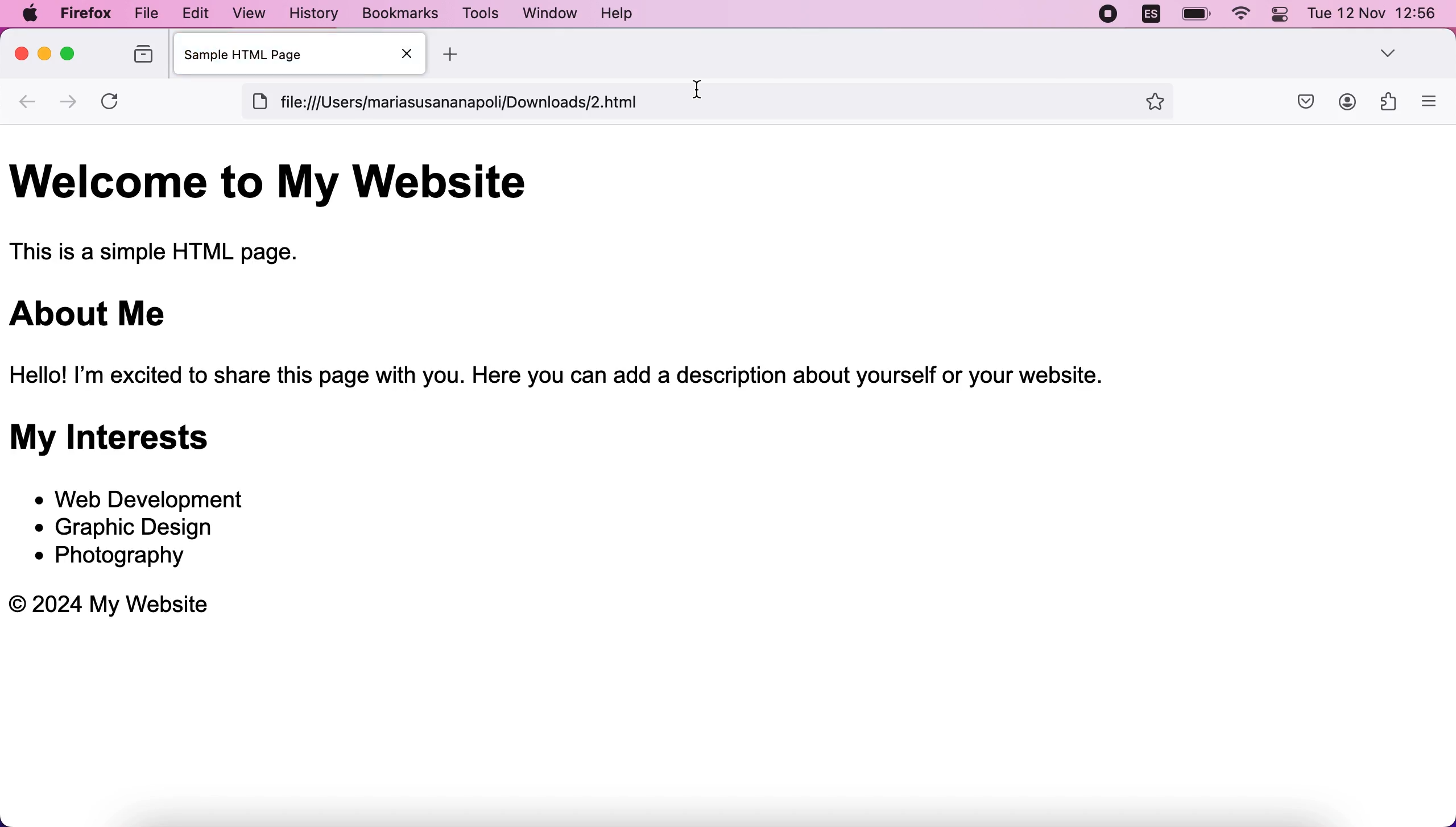  What do you see at coordinates (726, 102) in the screenshot?
I see `file:///Users/mariasusananapoli/Downloads/2.html` at bounding box center [726, 102].